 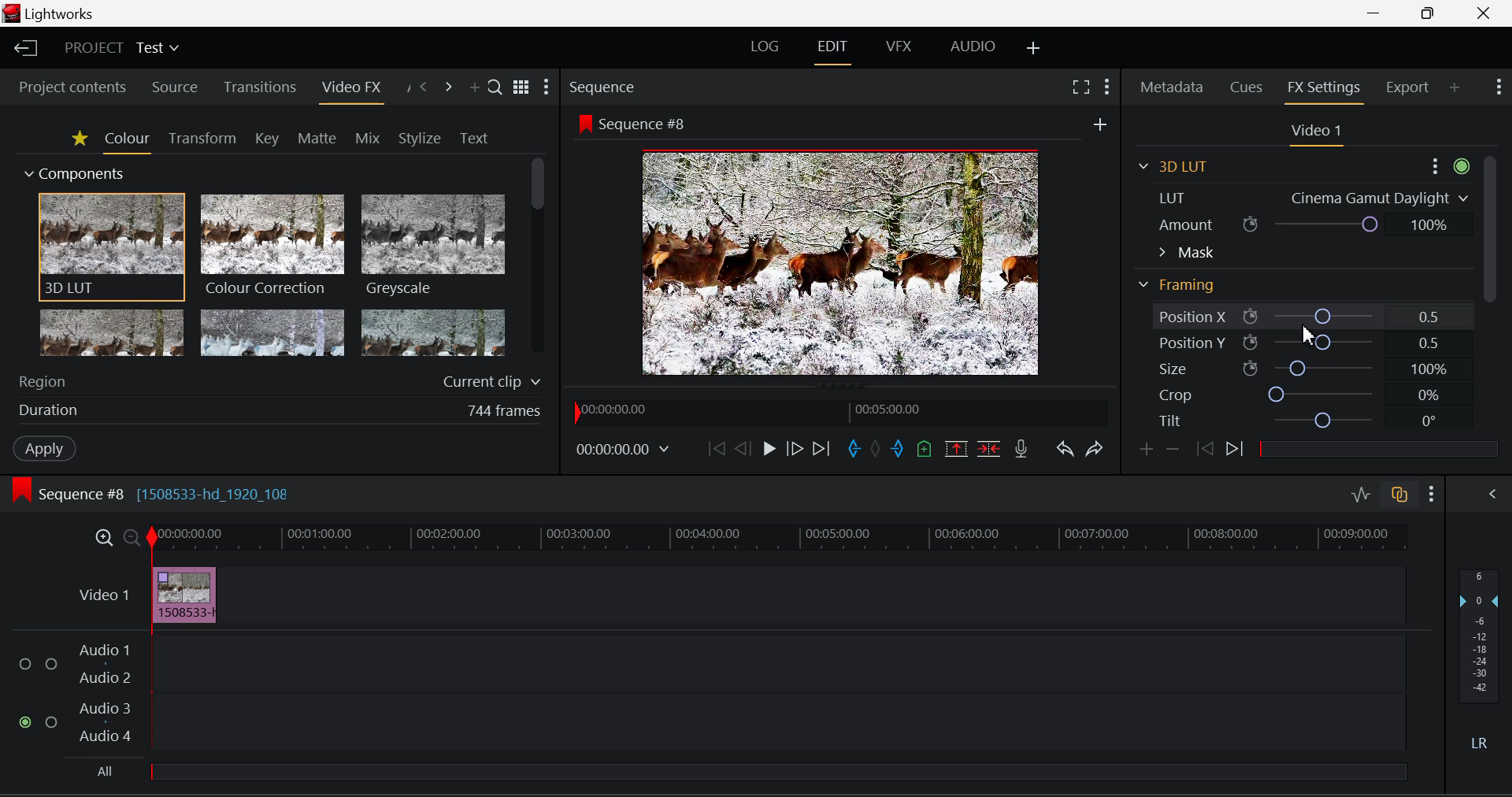 What do you see at coordinates (633, 123) in the screenshot?
I see `Sequence #8` at bounding box center [633, 123].